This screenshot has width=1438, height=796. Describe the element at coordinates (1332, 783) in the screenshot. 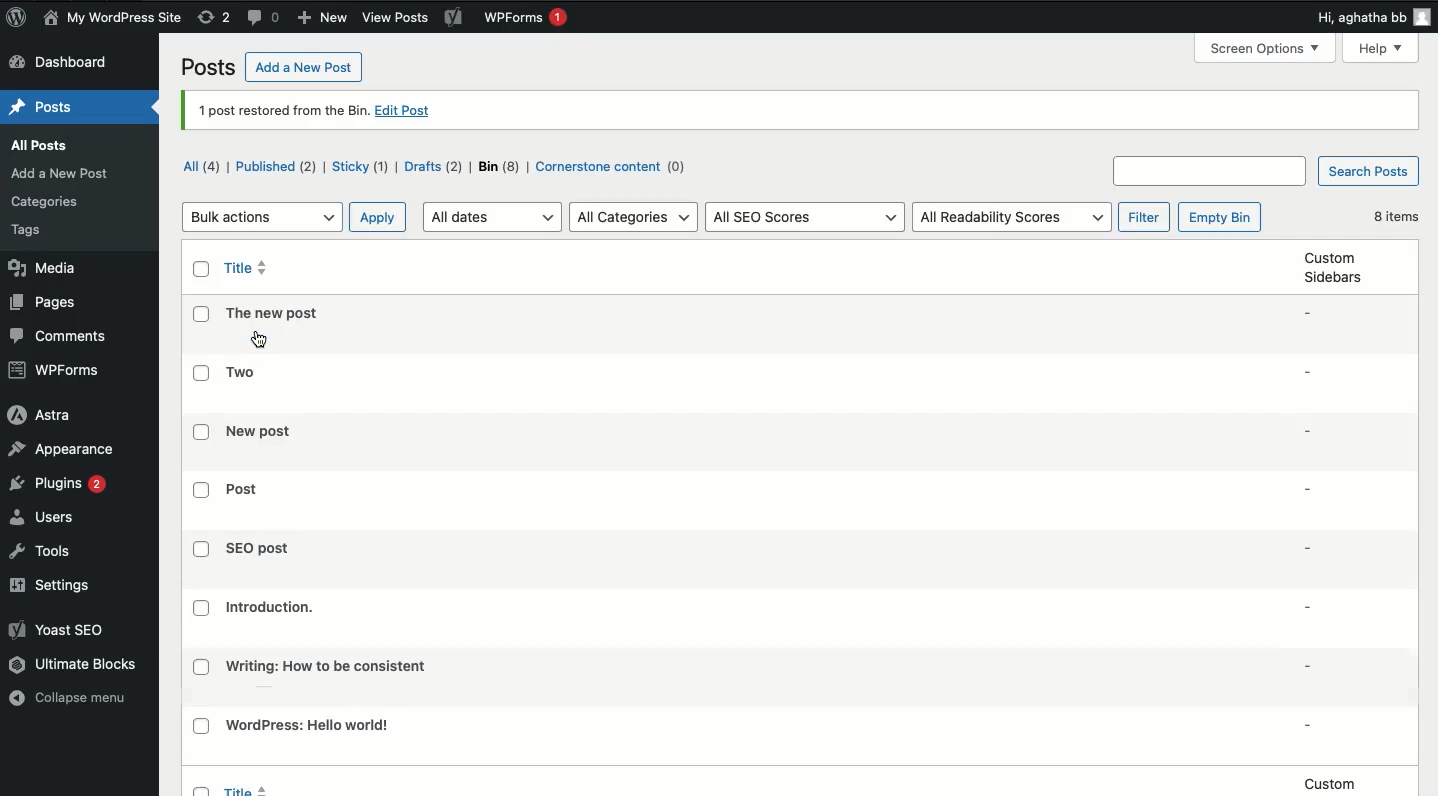

I see `custom` at that location.